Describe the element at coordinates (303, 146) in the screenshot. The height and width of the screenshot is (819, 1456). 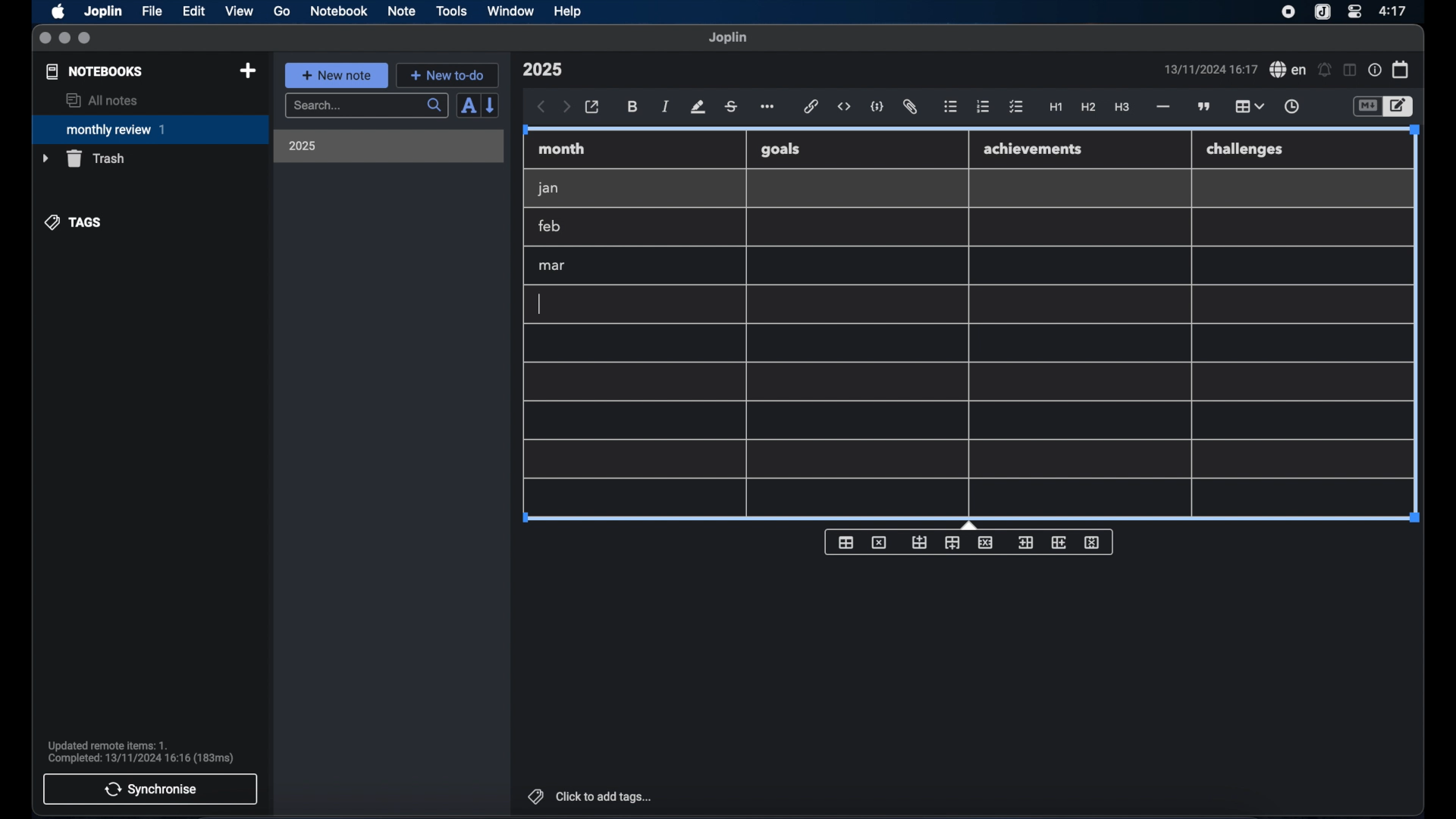
I see `2025` at that location.